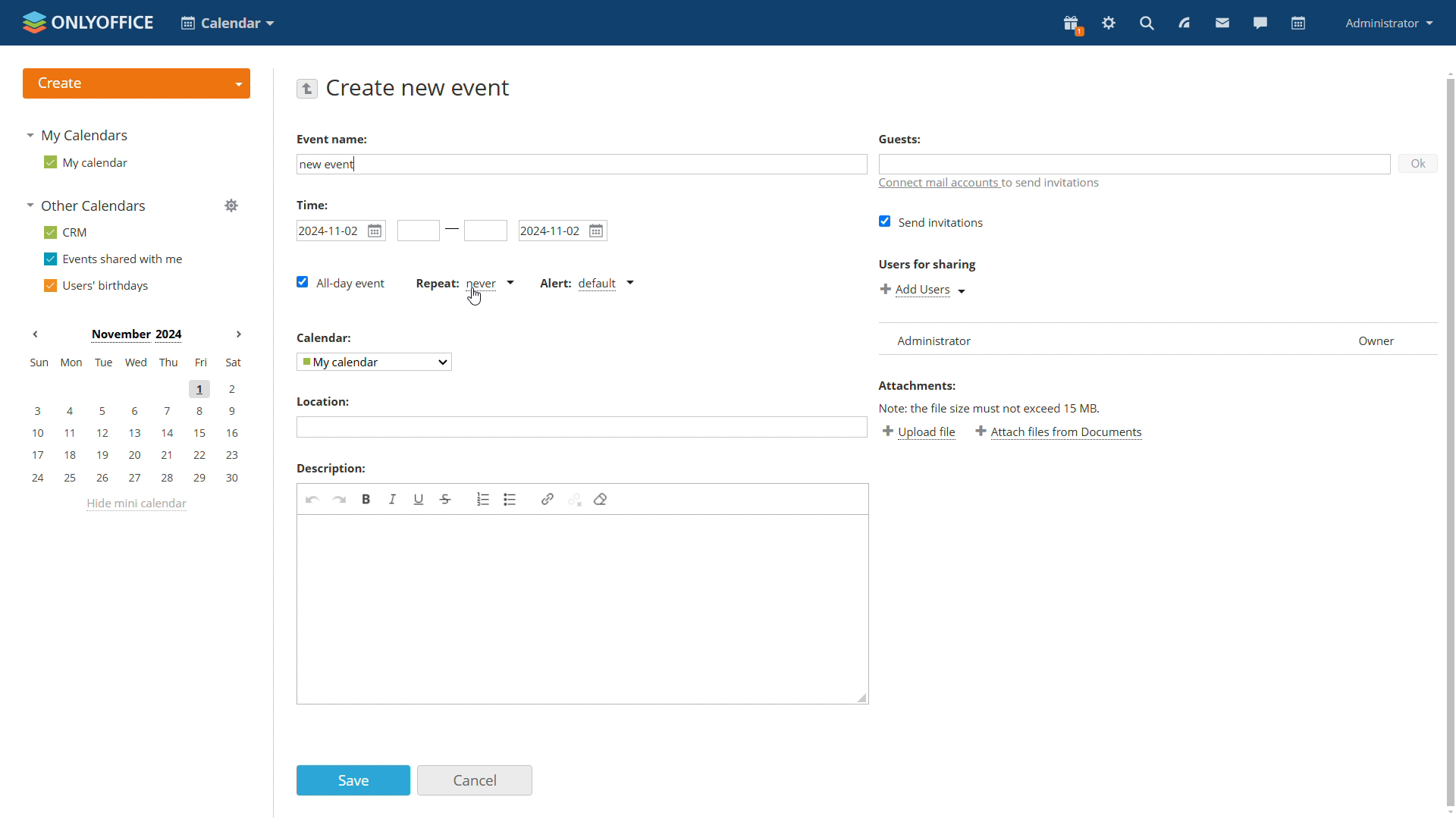 The width and height of the screenshot is (1456, 819). What do you see at coordinates (1420, 162) in the screenshot?
I see `ok` at bounding box center [1420, 162].